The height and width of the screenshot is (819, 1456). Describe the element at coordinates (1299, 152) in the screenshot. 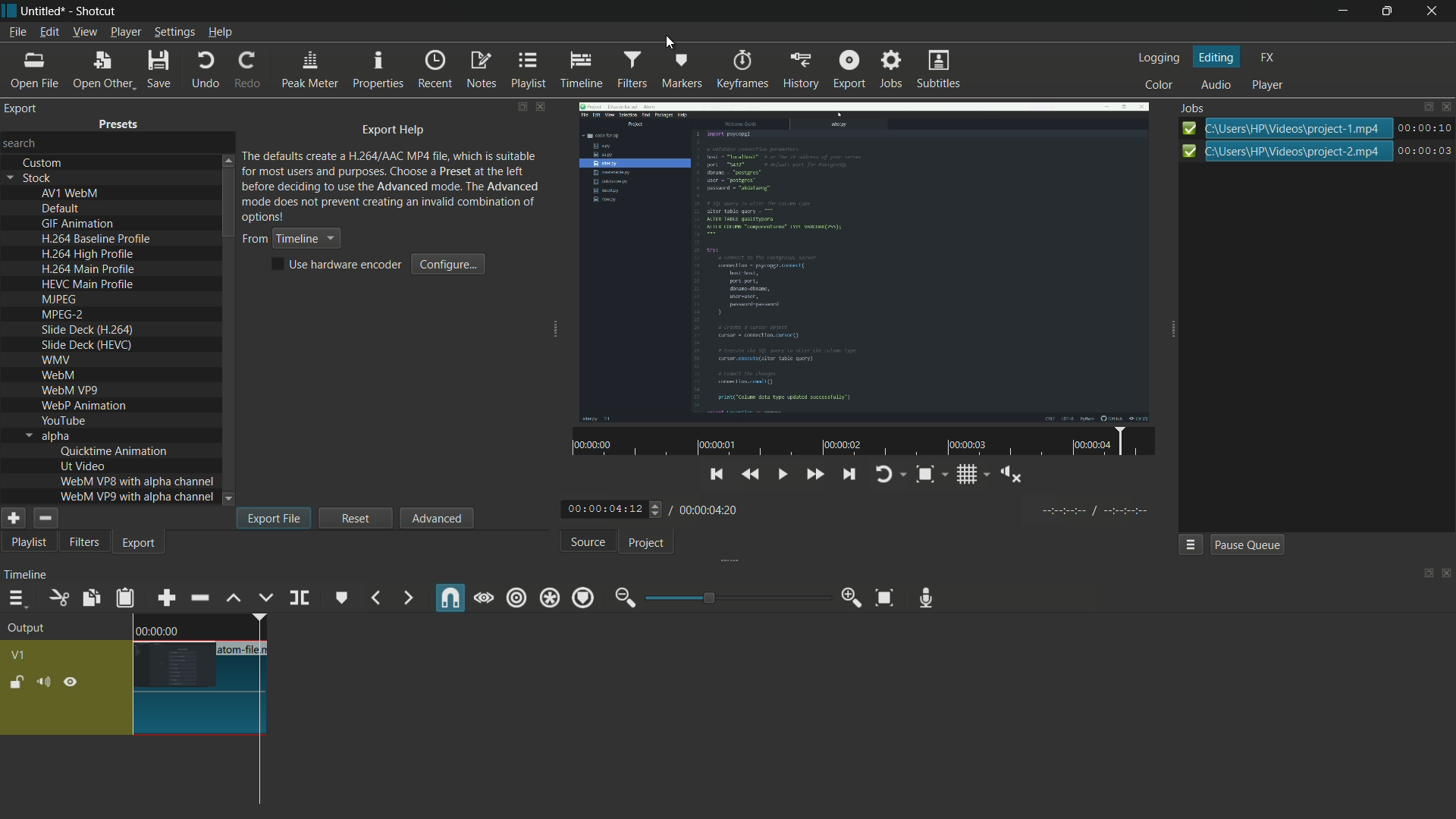

I see `progress bar` at that location.